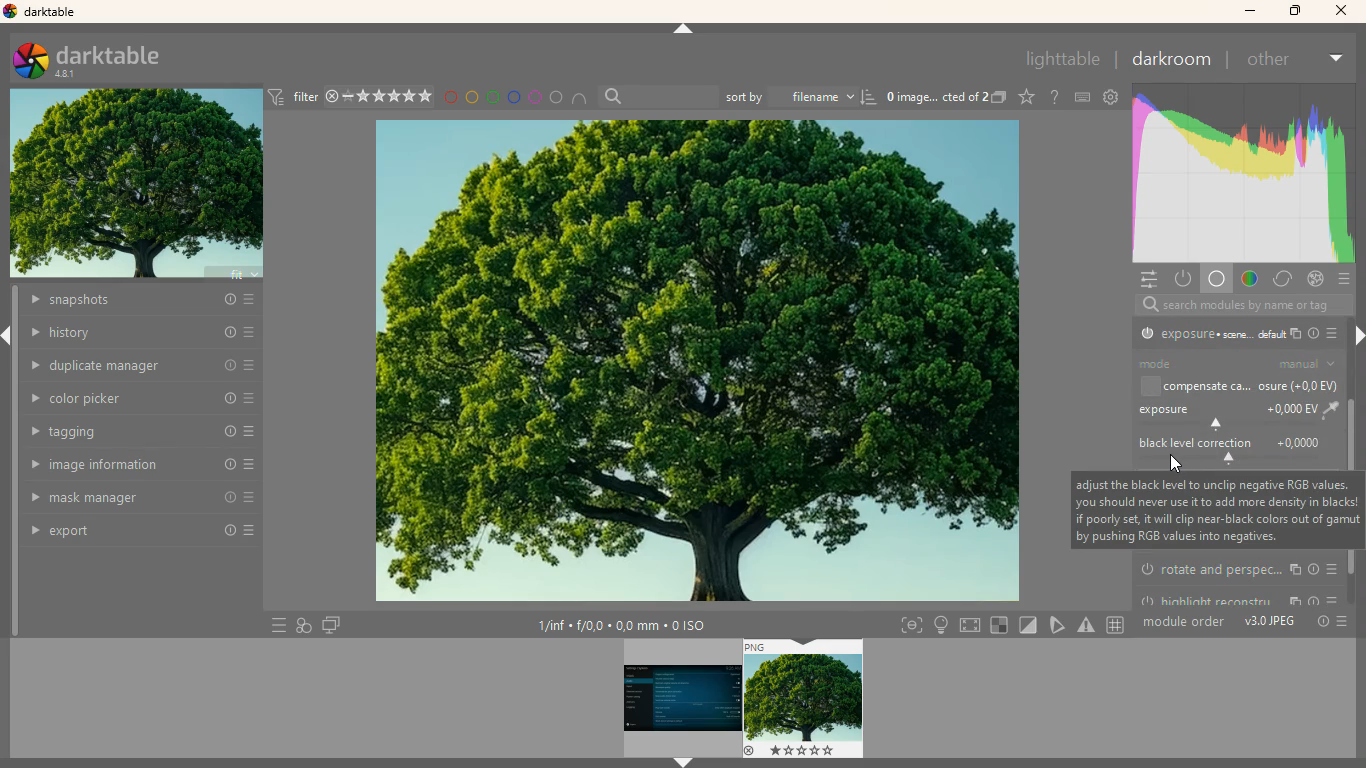 This screenshot has width=1366, height=768. Describe the element at coordinates (1319, 625) in the screenshot. I see `` at that location.